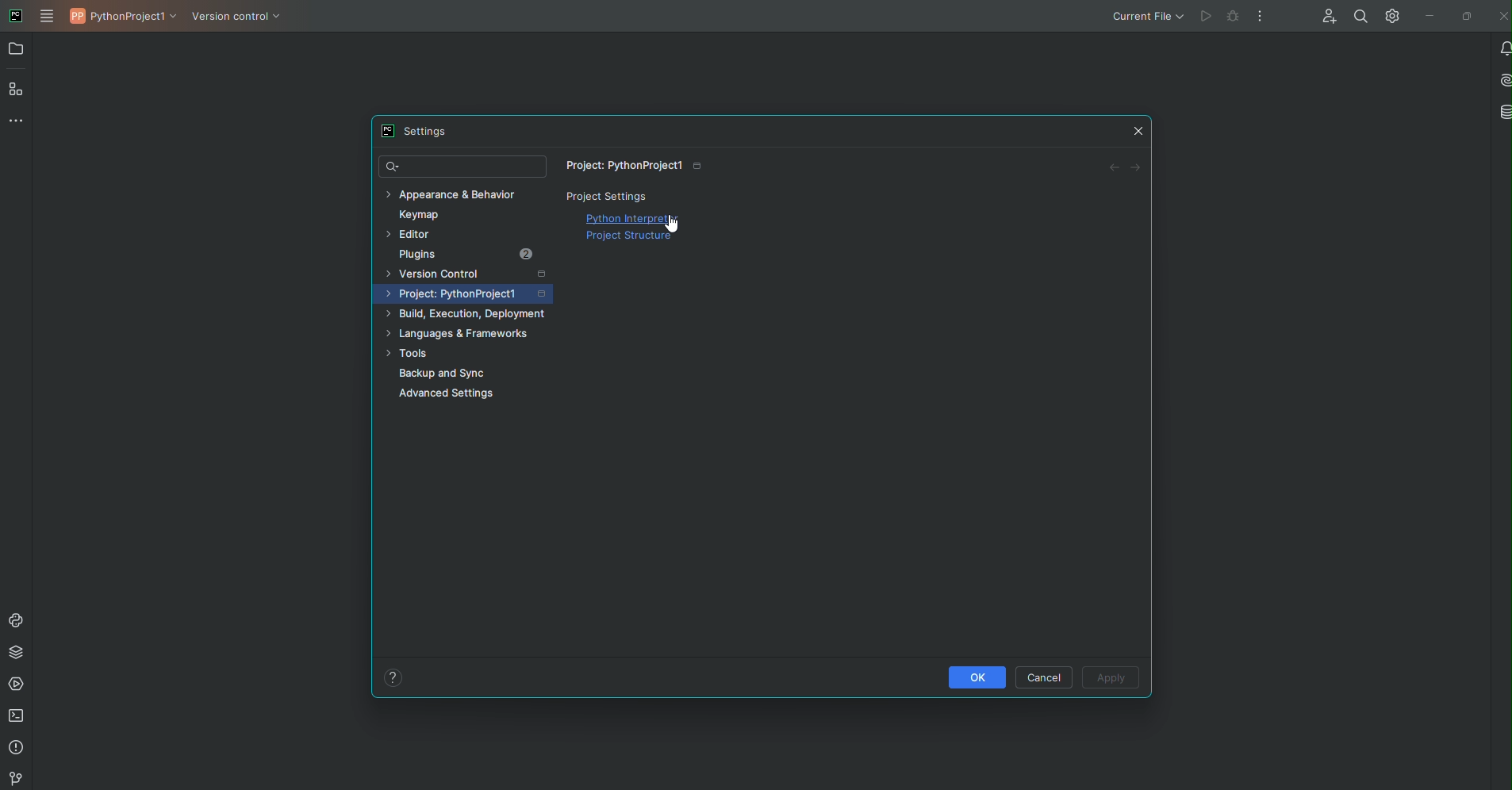 Image resolution: width=1512 pixels, height=790 pixels. What do you see at coordinates (468, 312) in the screenshot?
I see `Build, Execution, Development` at bounding box center [468, 312].